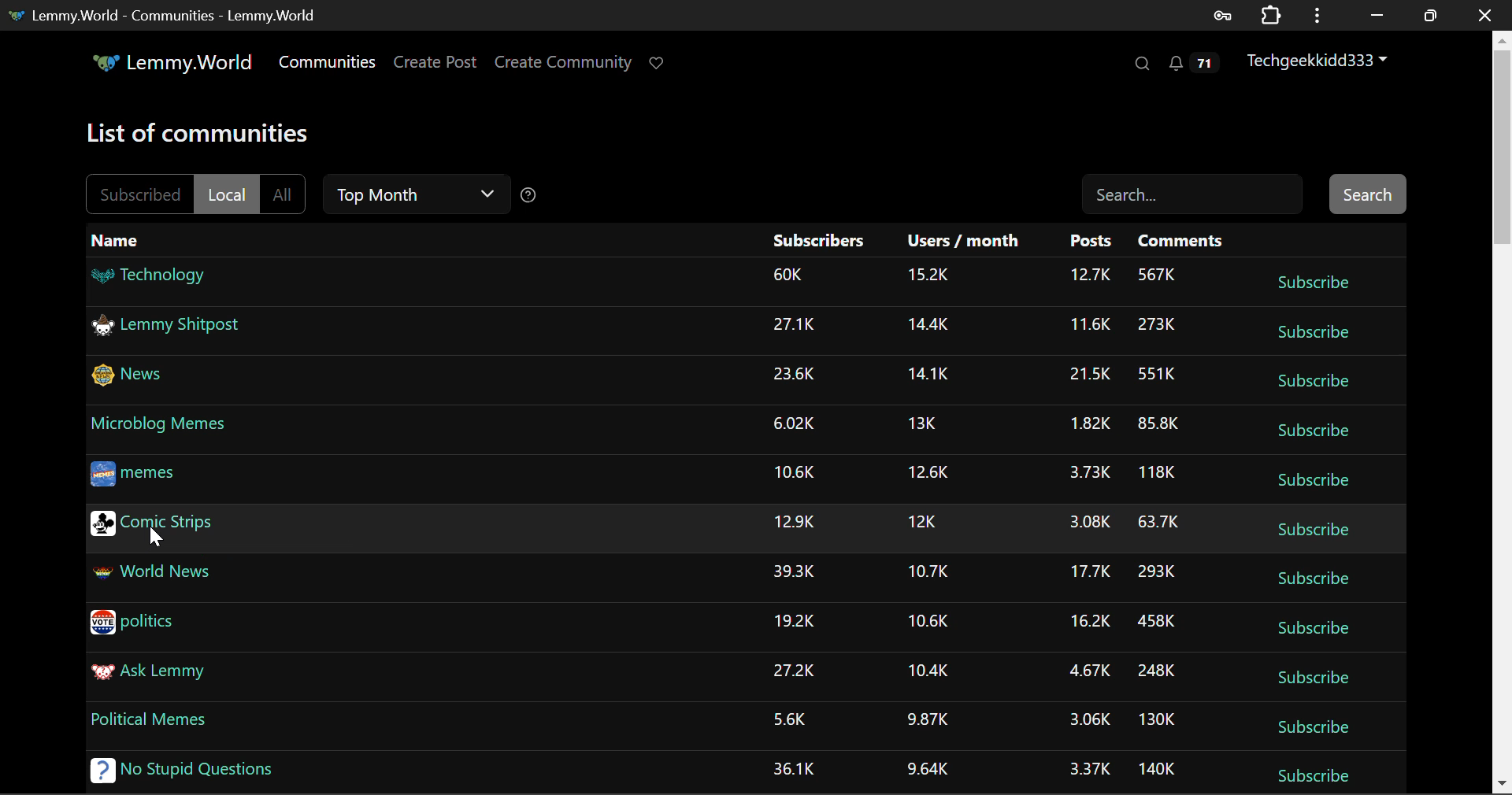 The width and height of the screenshot is (1512, 795). Describe the element at coordinates (958, 242) in the screenshot. I see `Users/month` at that location.